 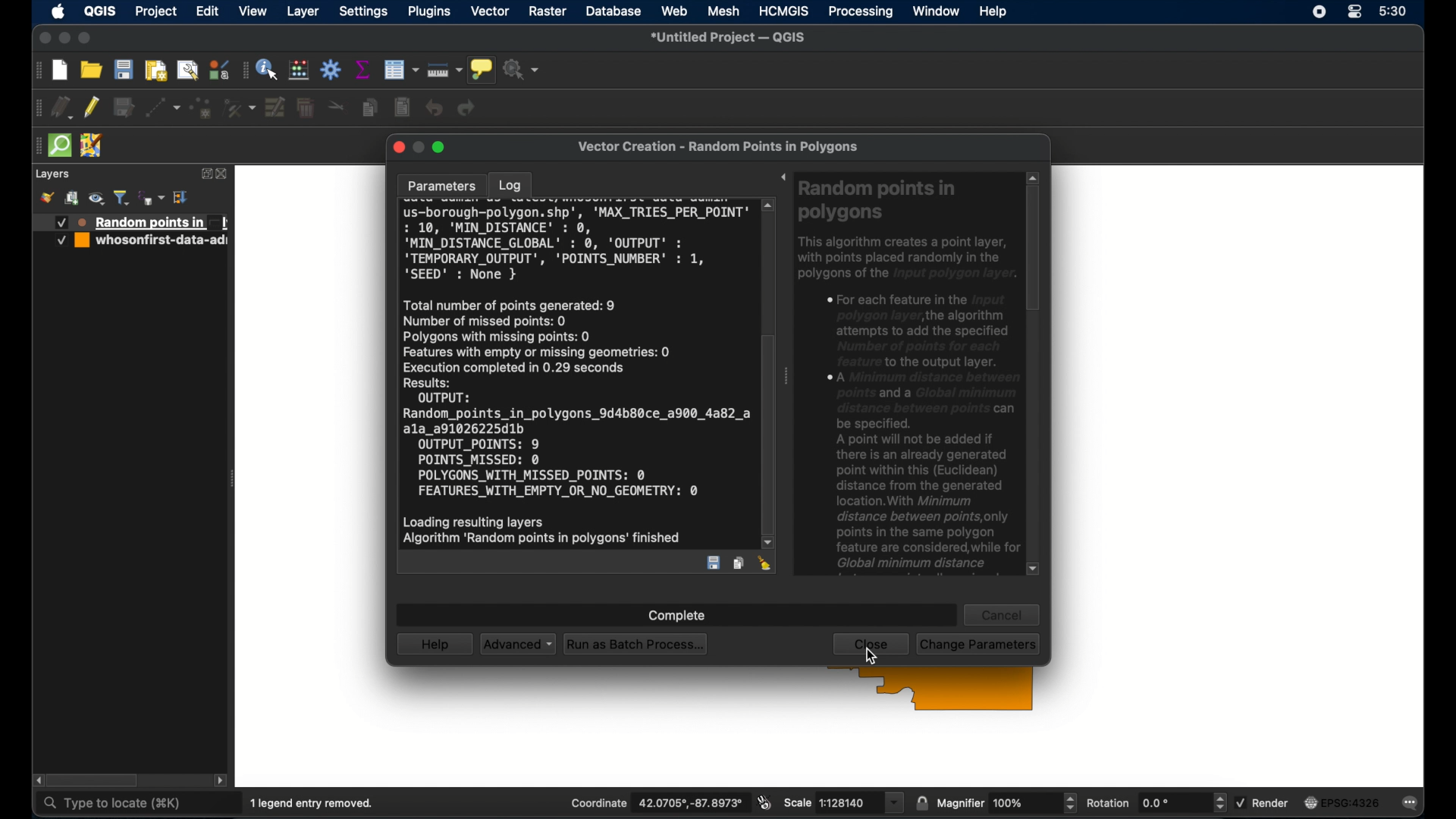 I want to click on jsom  remote, so click(x=92, y=146).